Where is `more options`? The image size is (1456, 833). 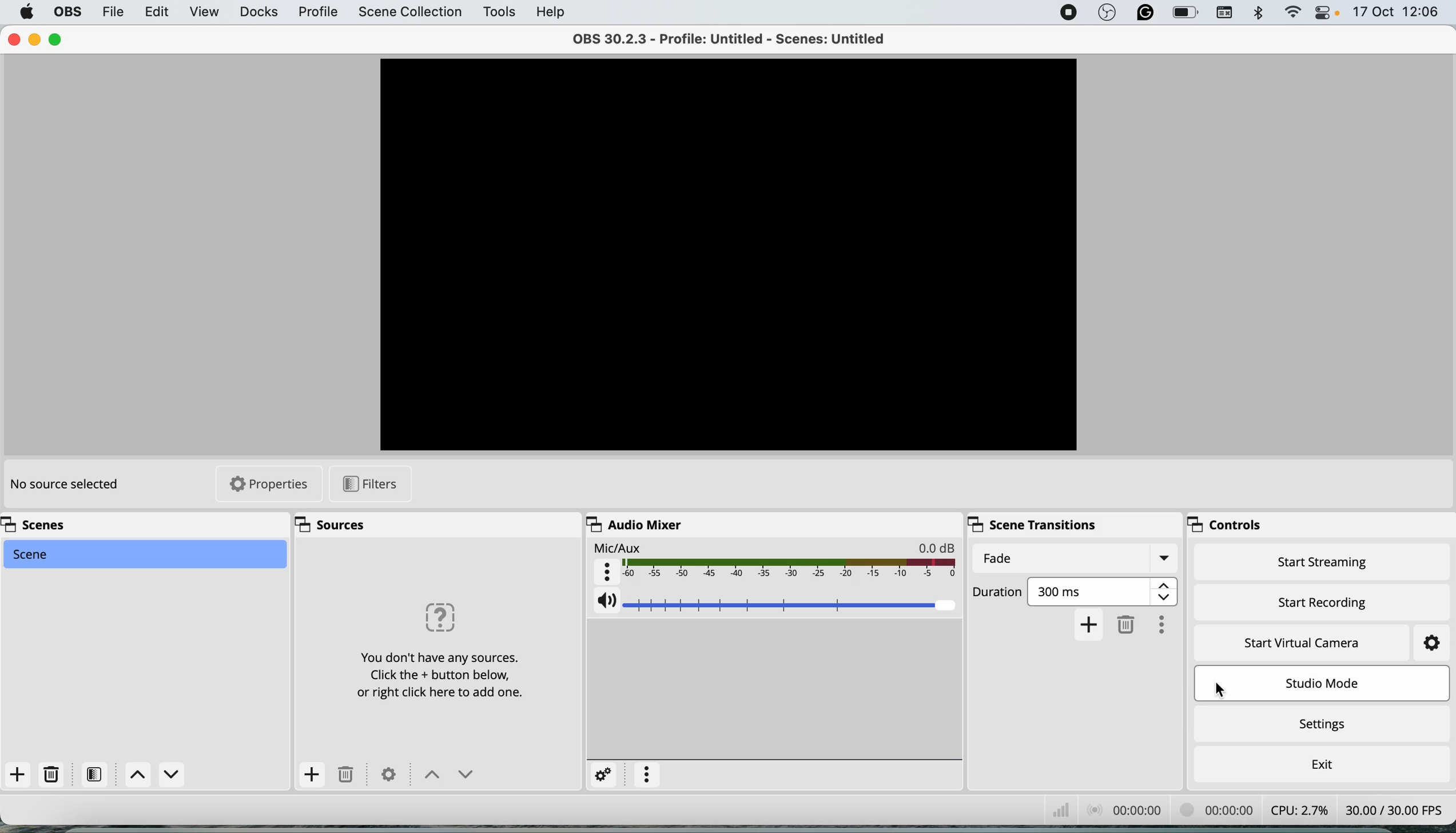
more options is located at coordinates (1164, 622).